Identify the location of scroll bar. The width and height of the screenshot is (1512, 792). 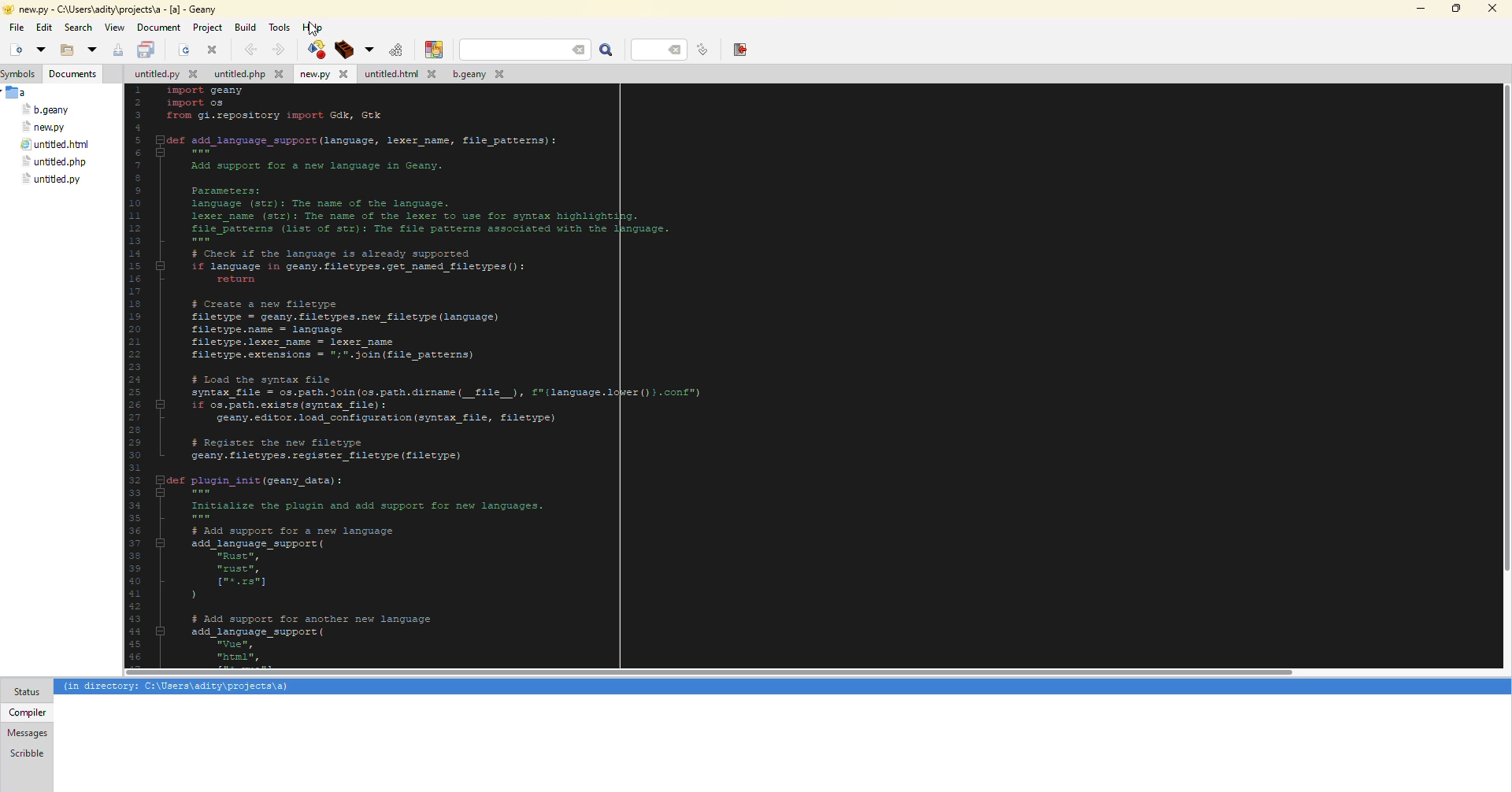
(1507, 338).